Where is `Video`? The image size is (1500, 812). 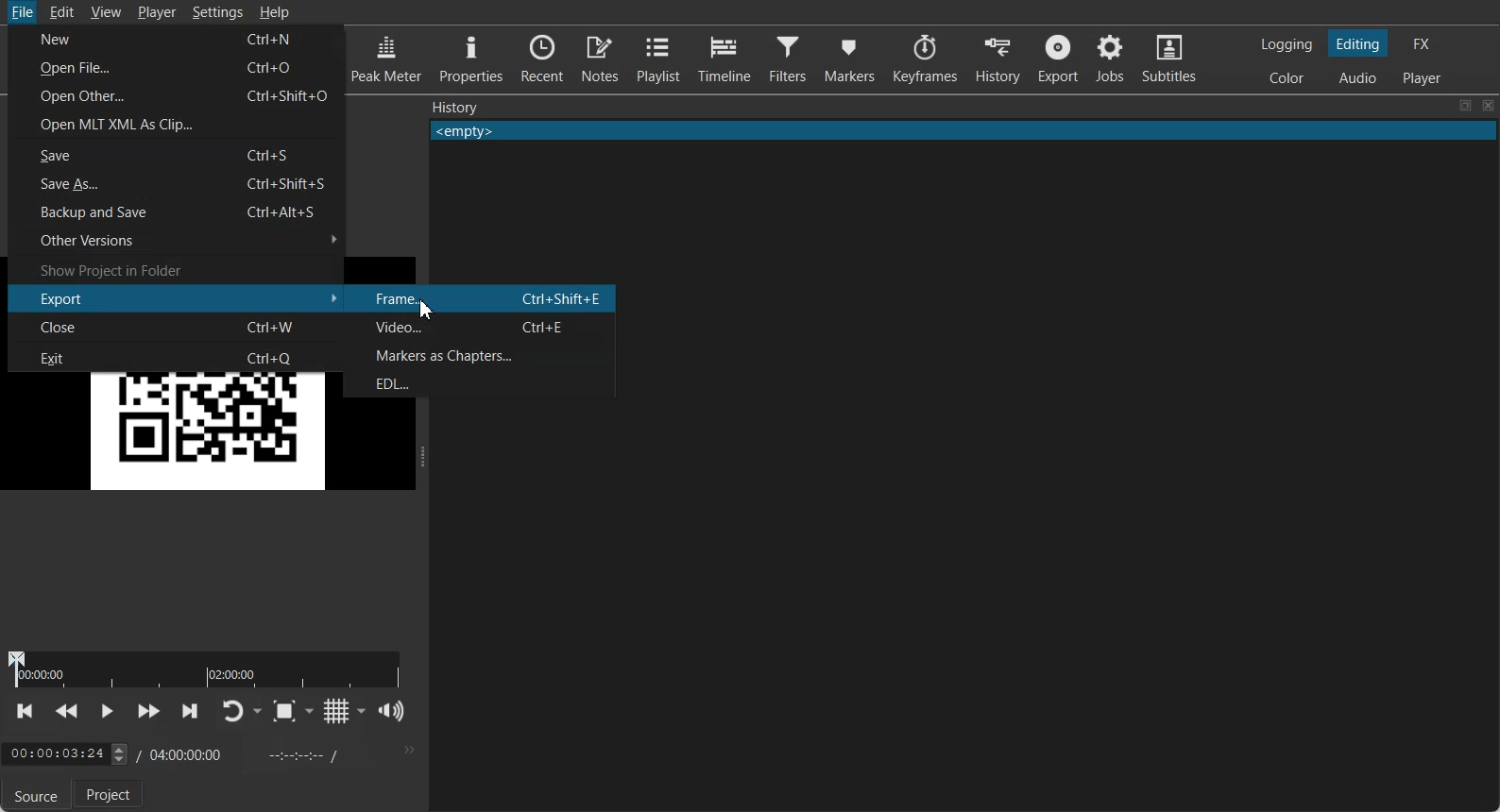 Video is located at coordinates (419, 329).